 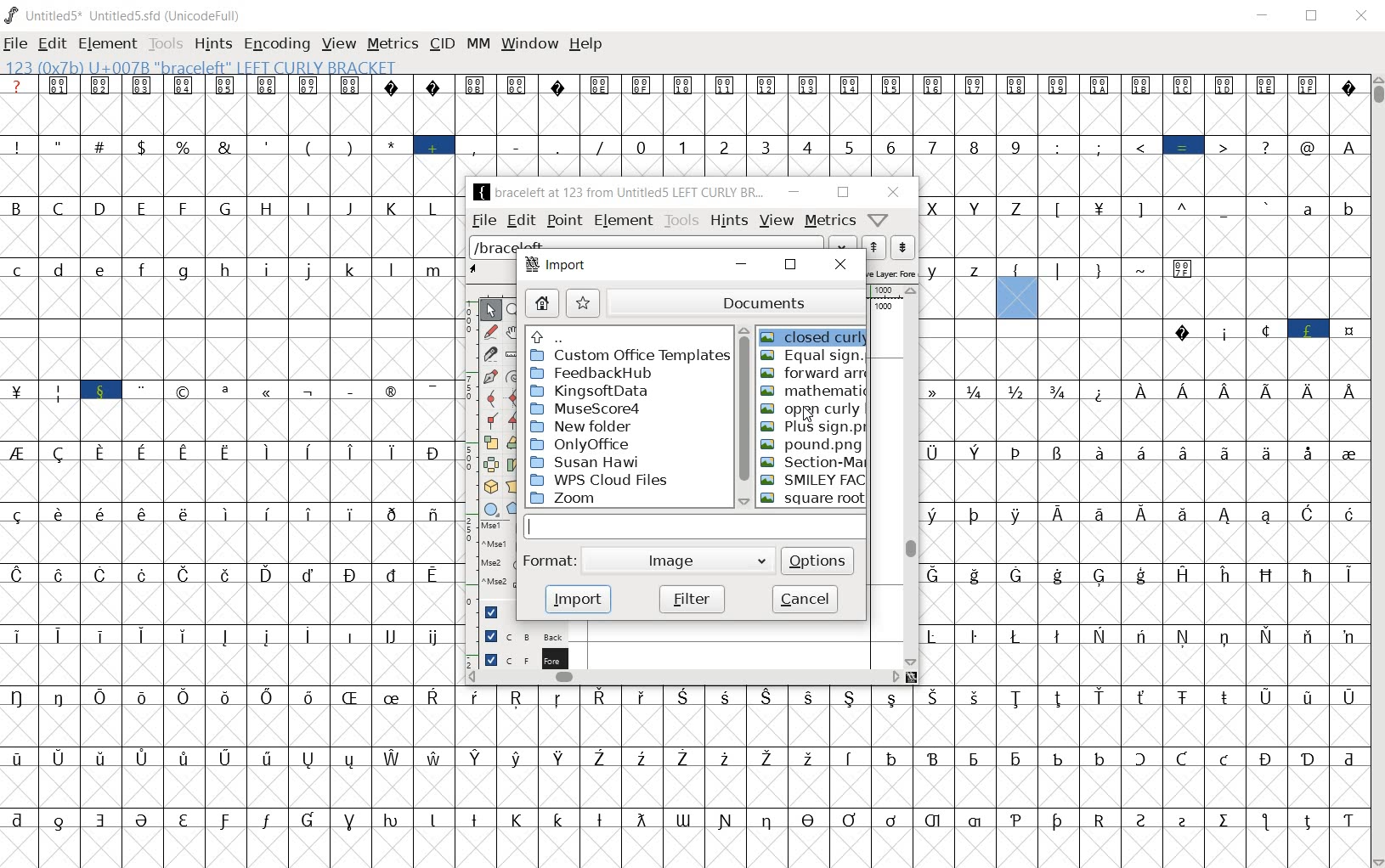 What do you see at coordinates (492, 398) in the screenshot?
I see `add a curve point` at bounding box center [492, 398].